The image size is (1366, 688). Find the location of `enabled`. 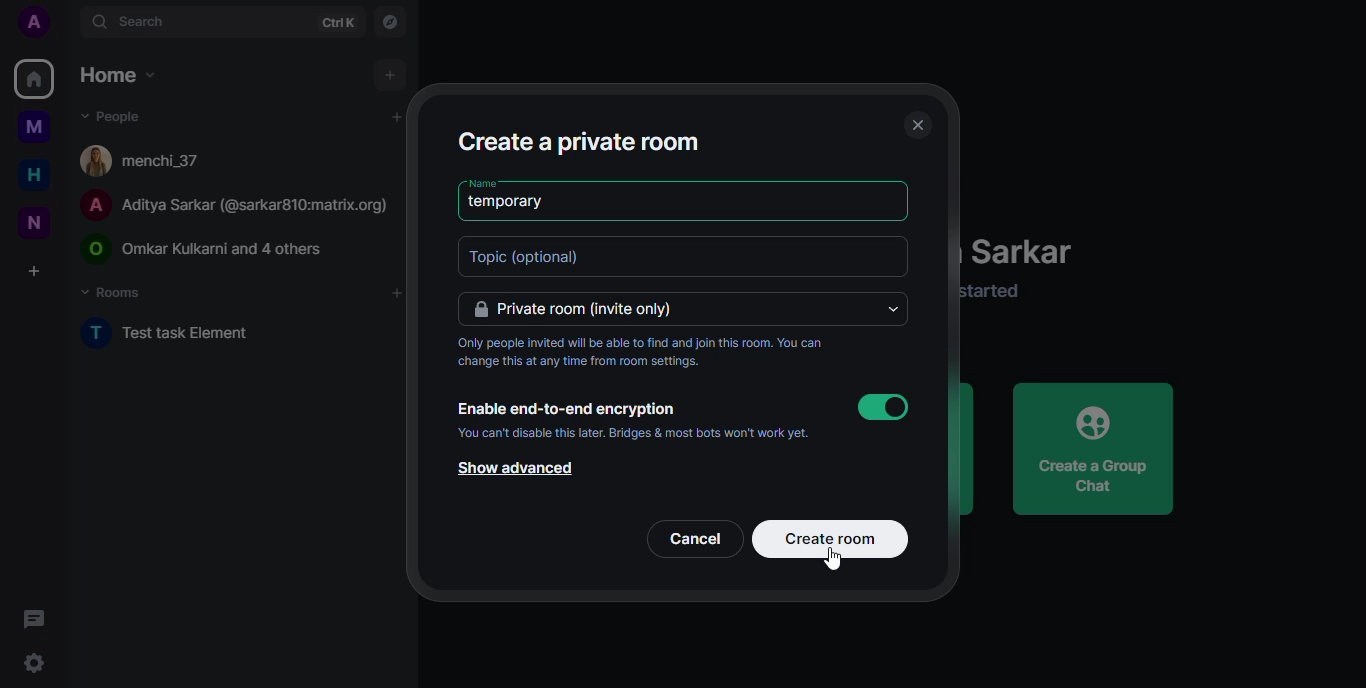

enabled is located at coordinates (887, 405).